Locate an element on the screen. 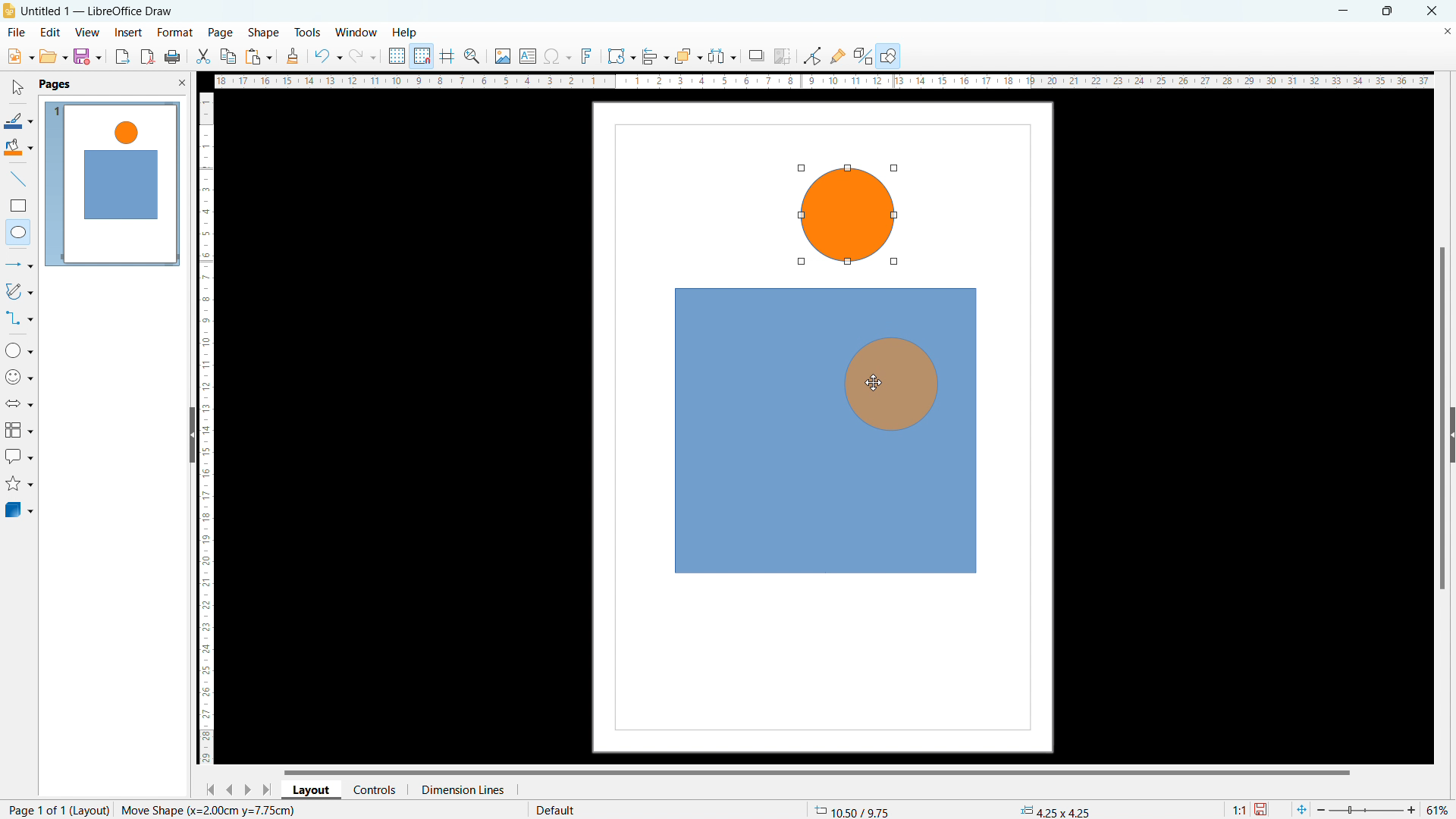  object 2 drawing complete is located at coordinates (846, 217).